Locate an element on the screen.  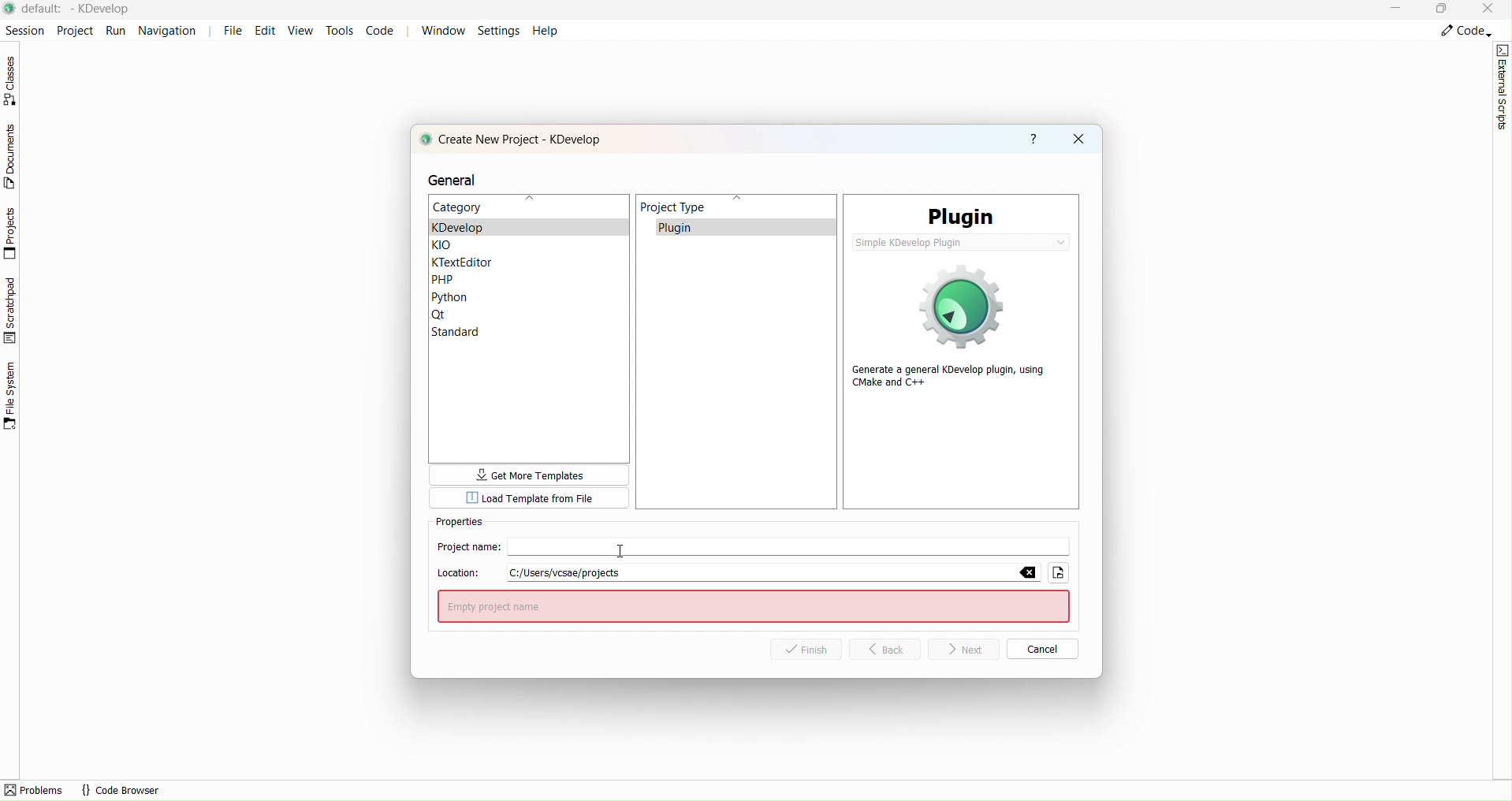
PHP is located at coordinates (454, 278).